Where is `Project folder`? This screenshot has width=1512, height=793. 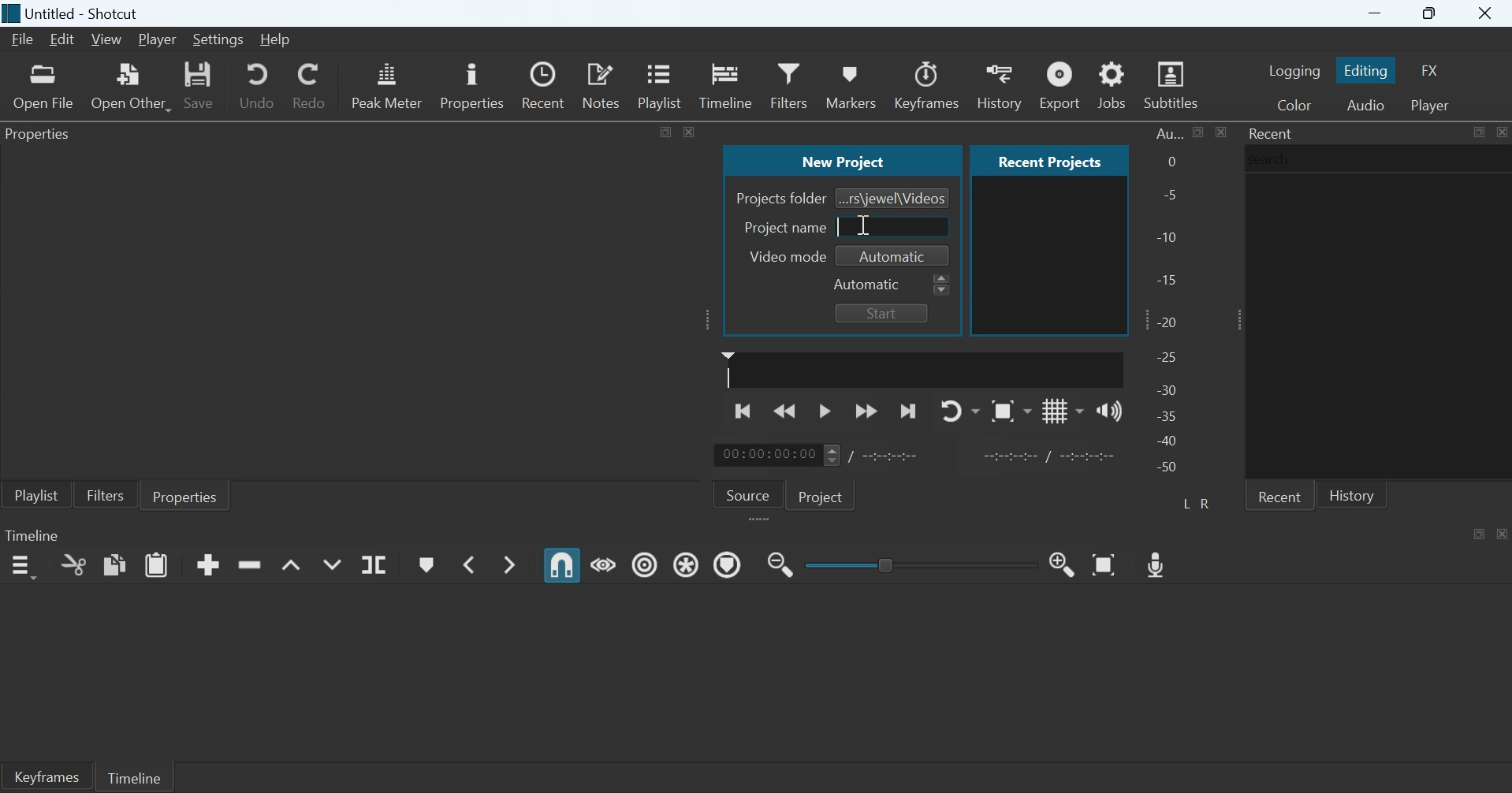
Project folder is located at coordinates (780, 199).